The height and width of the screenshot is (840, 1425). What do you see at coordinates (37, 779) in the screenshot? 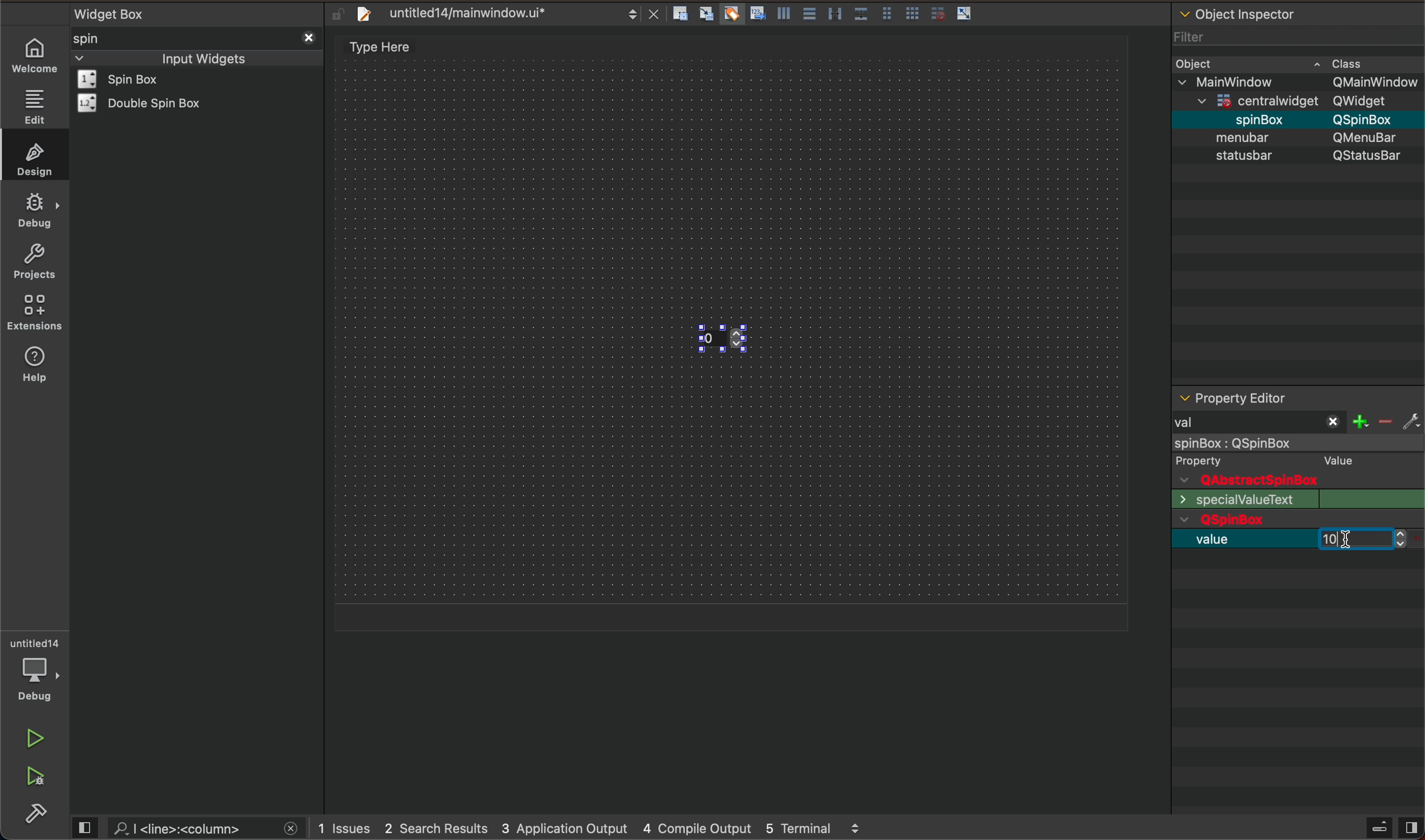
I see `run and debug` at bounding box center [37, 779].